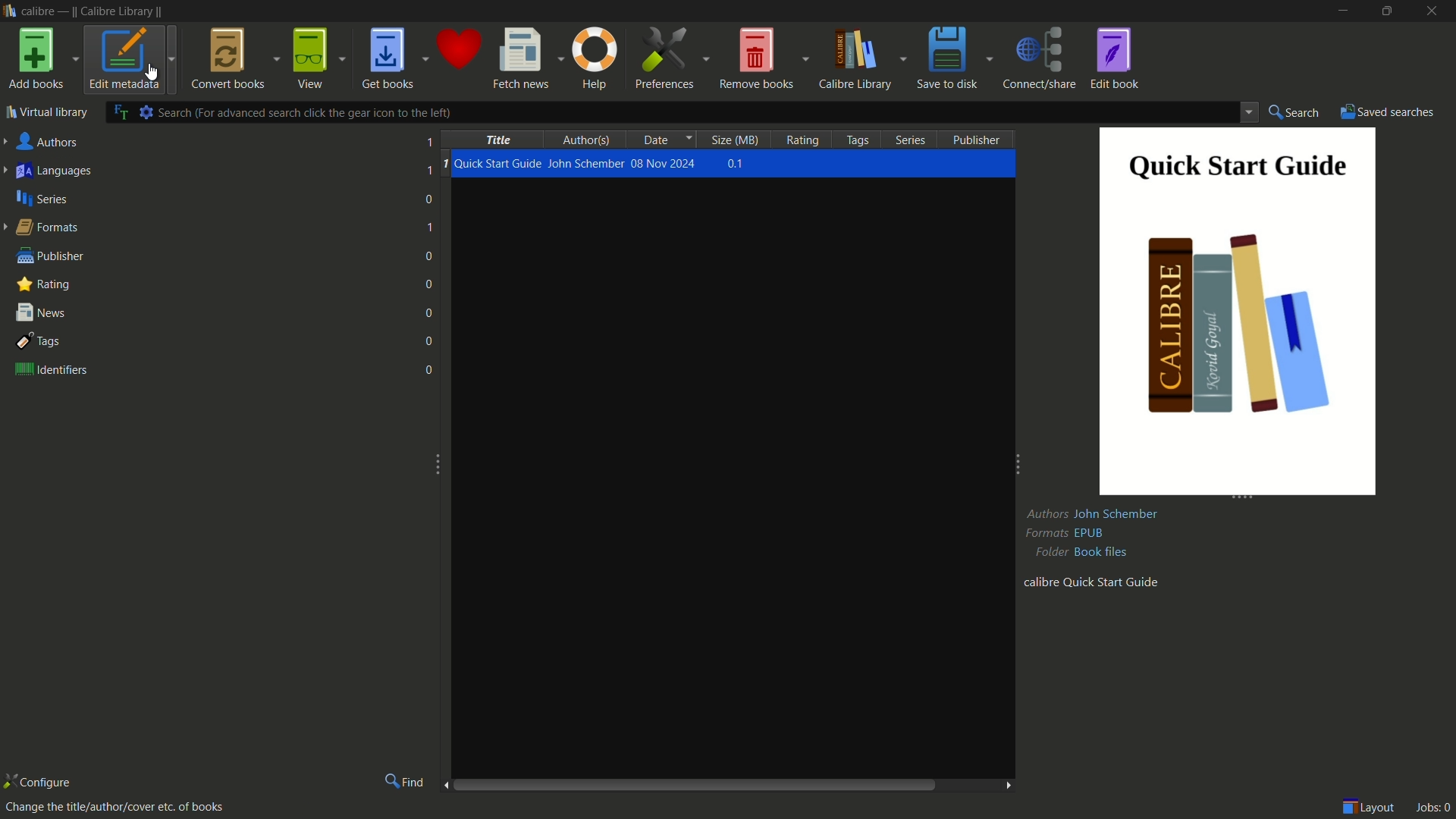 The image size is (1456, 819). What do you see at coordinates (1436, 11) in the screenshot?
I see `close app` at bounding box center [1436, 11].